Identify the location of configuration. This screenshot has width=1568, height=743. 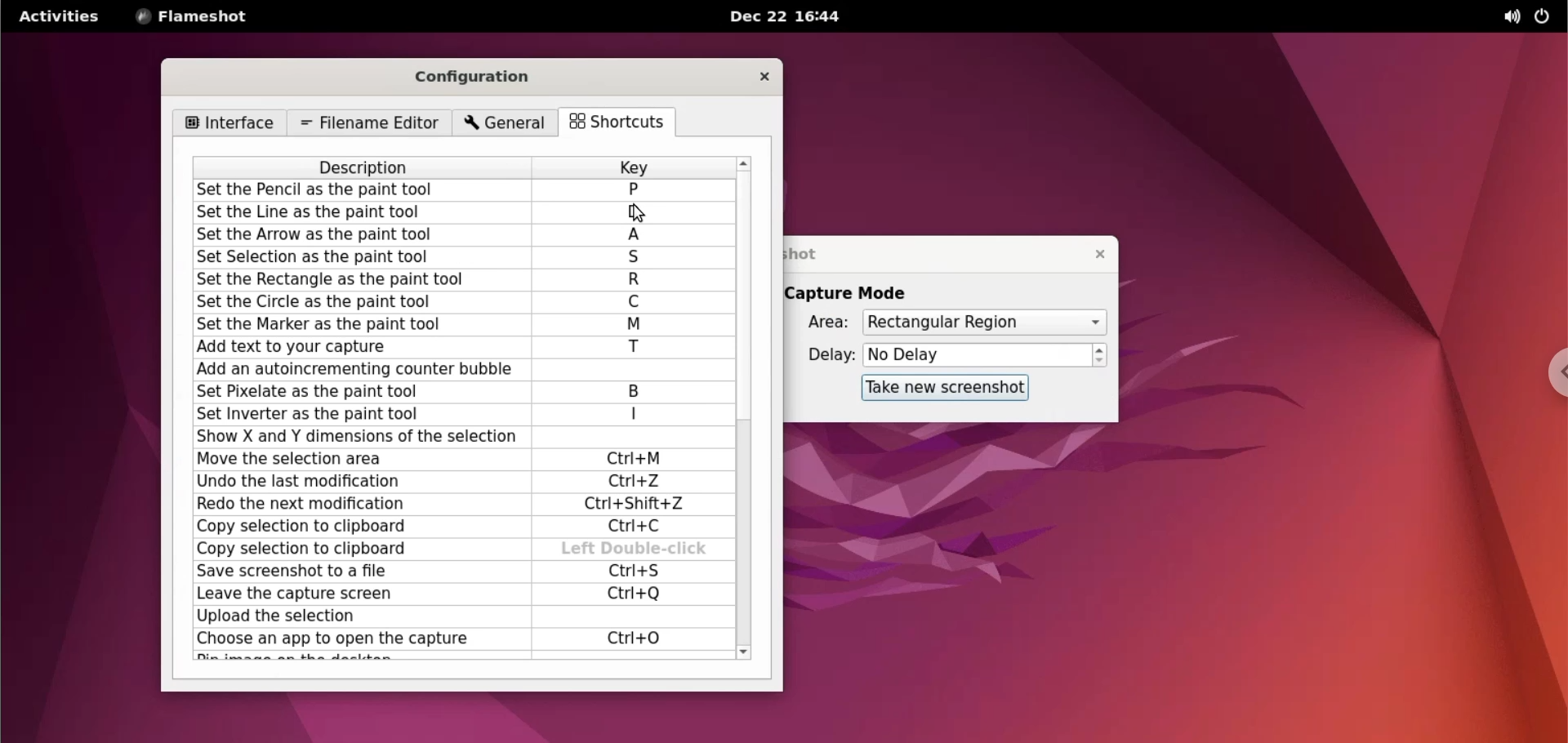
(483, 78).